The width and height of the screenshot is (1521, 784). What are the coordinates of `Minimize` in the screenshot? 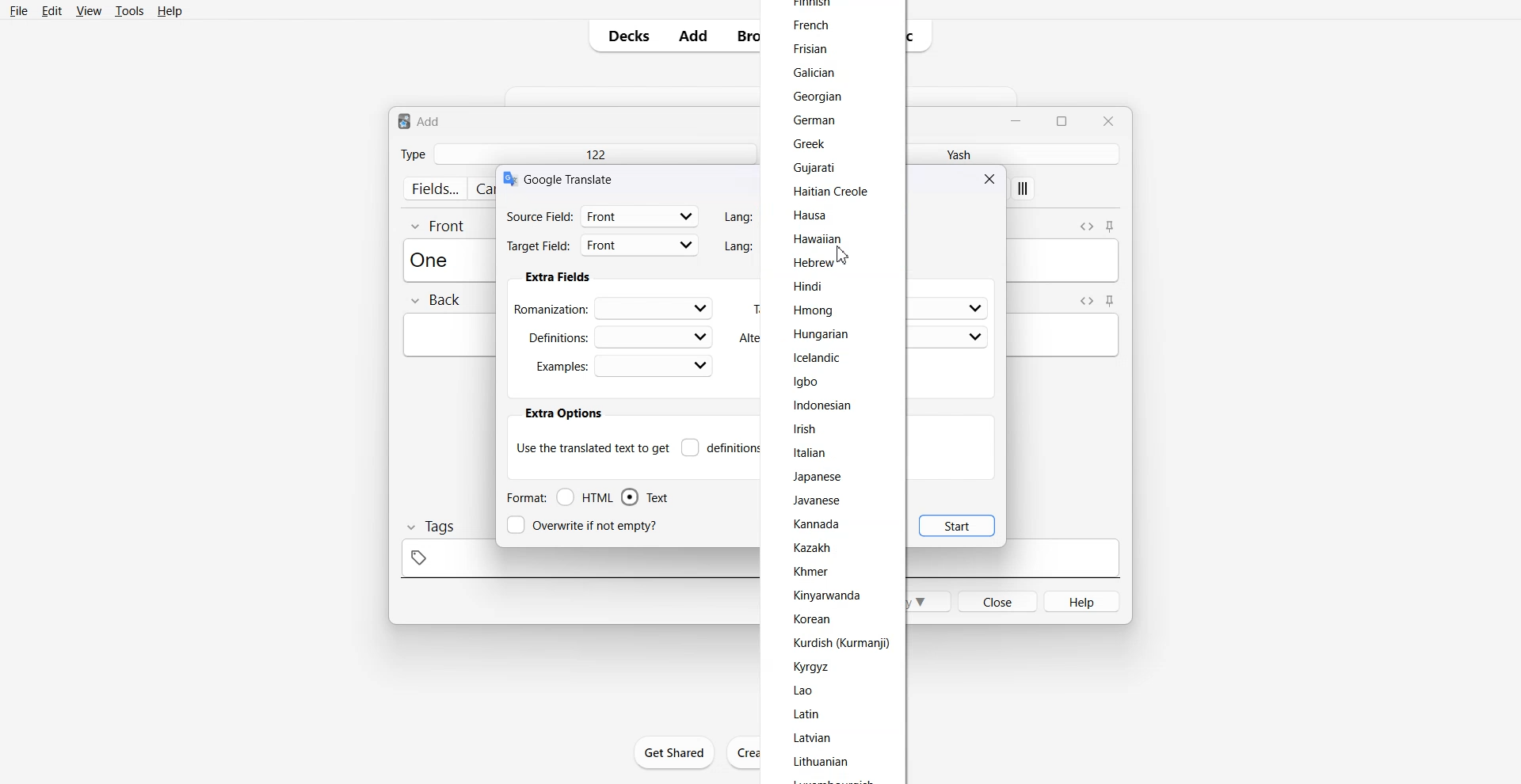 It's located at (1018, 120).